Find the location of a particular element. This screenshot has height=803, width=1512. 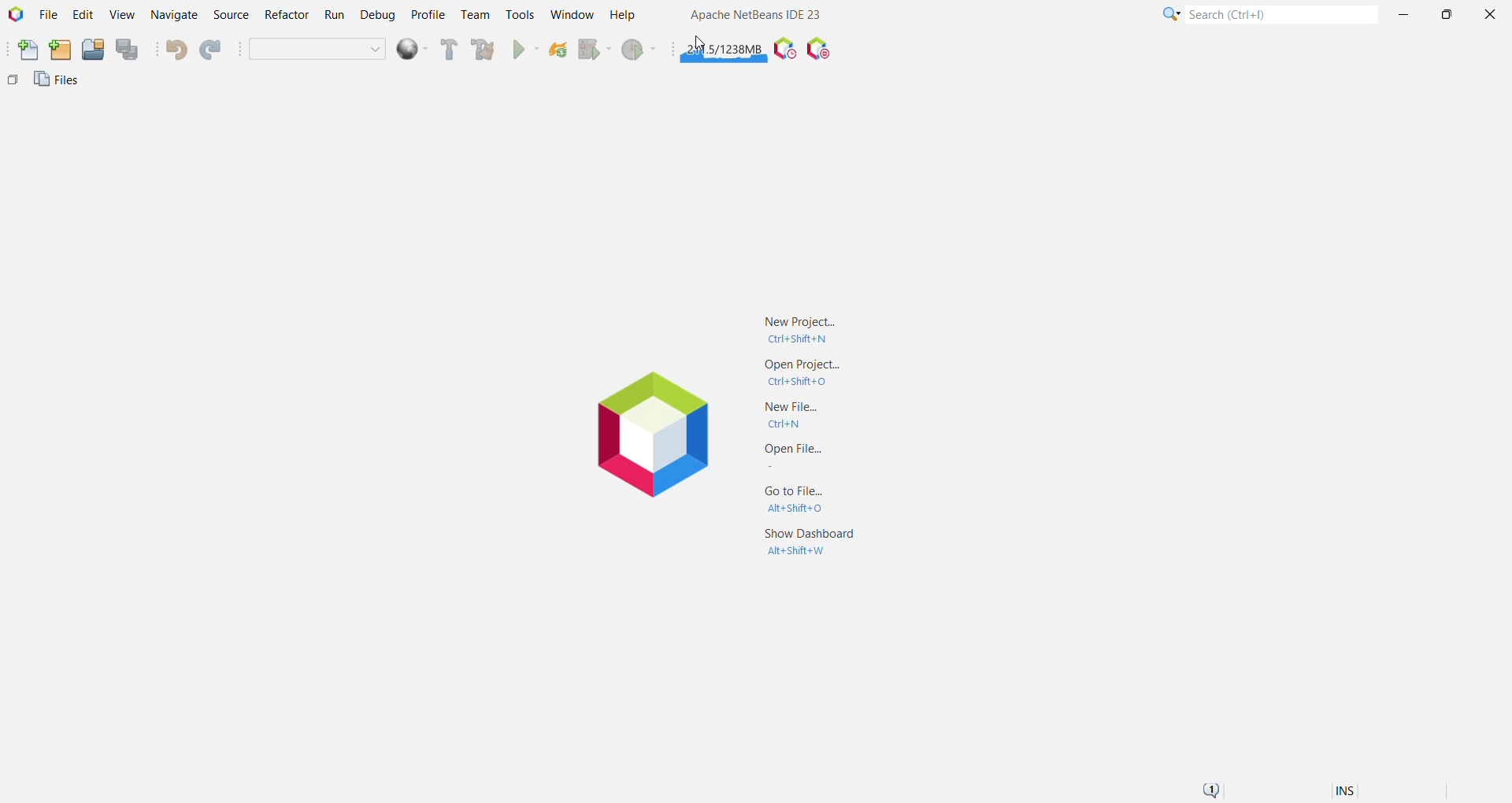

Cursor is located at coordinates (701, 45).